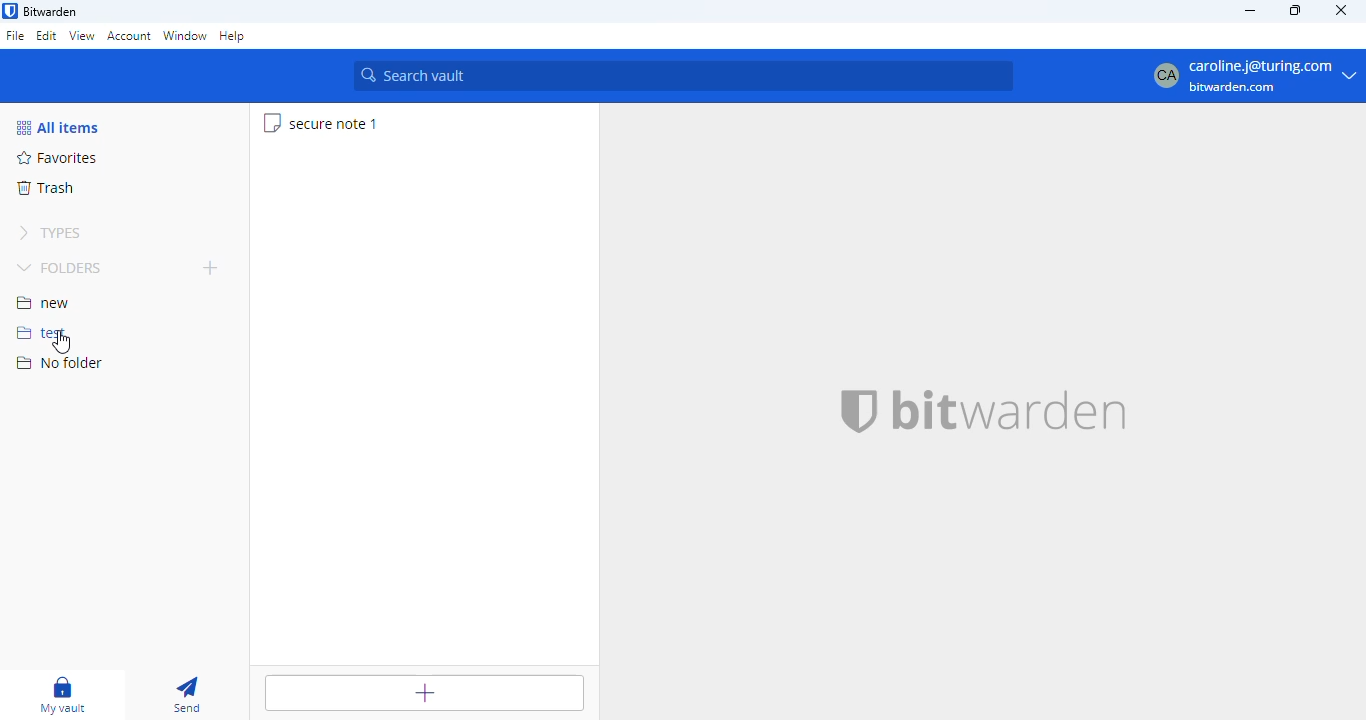  Describe the element at coordinates (63, 695) in the screenshot. I see `my vault` at that location.